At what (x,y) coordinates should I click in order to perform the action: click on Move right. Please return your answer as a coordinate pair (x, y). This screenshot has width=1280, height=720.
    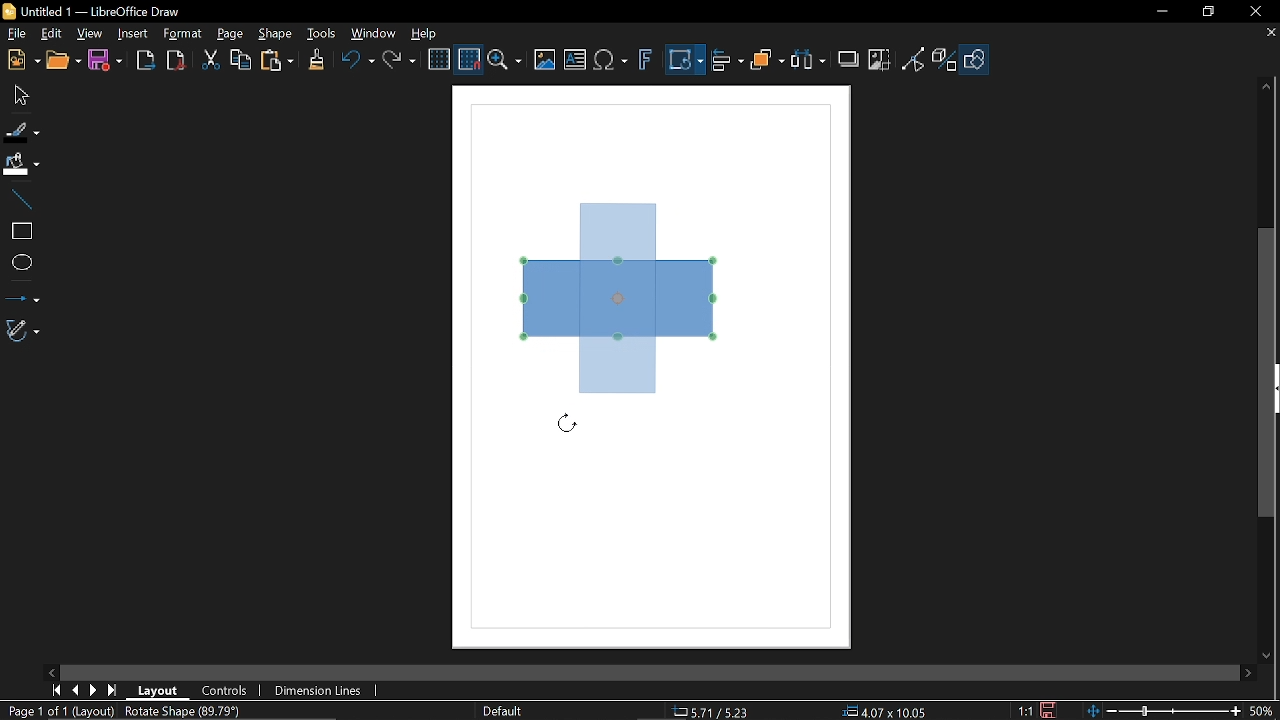
    Looking at the image, I should click on (1250, 674).